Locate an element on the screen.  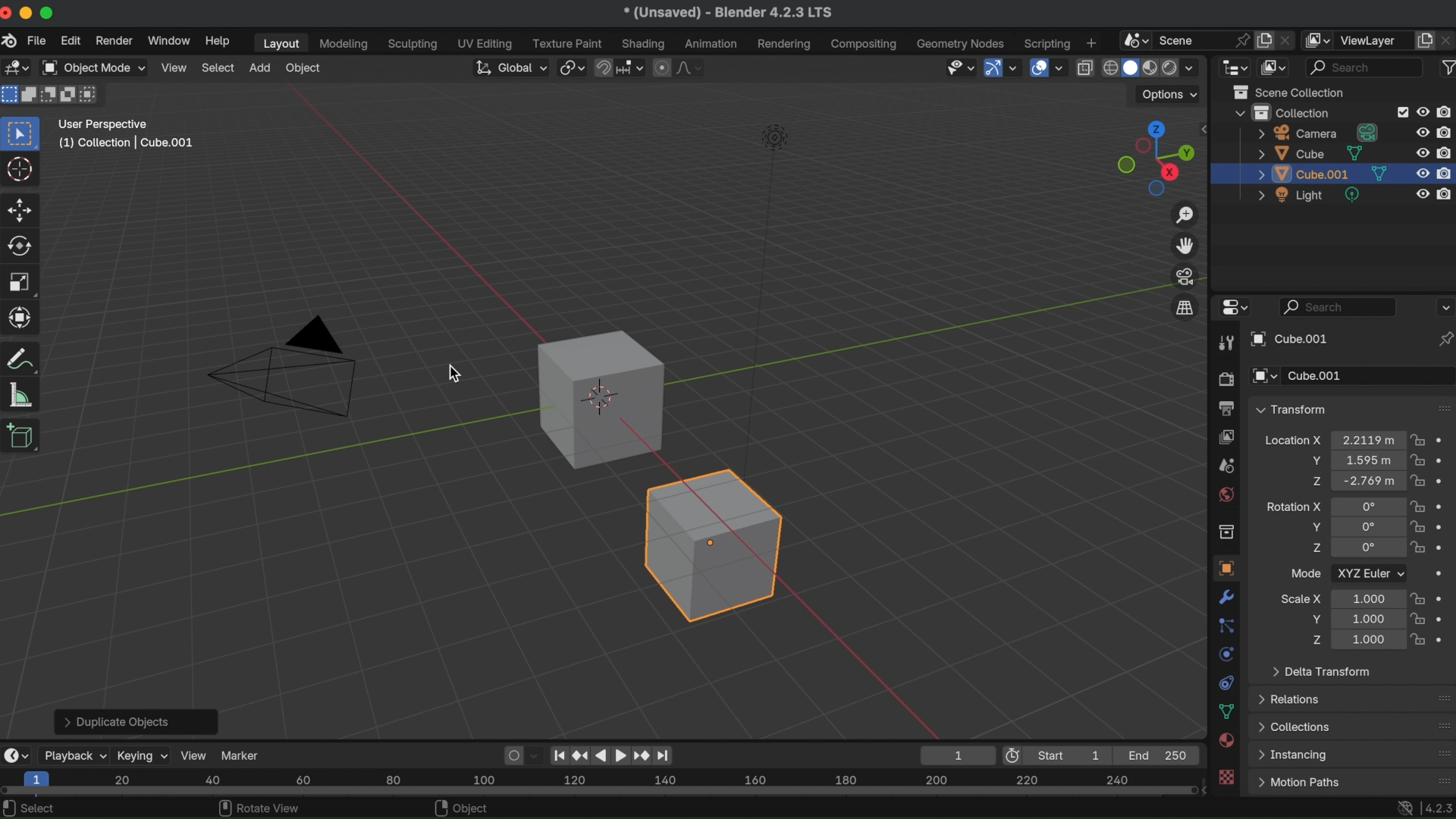
location Y is located at coordinates (1313, 460).